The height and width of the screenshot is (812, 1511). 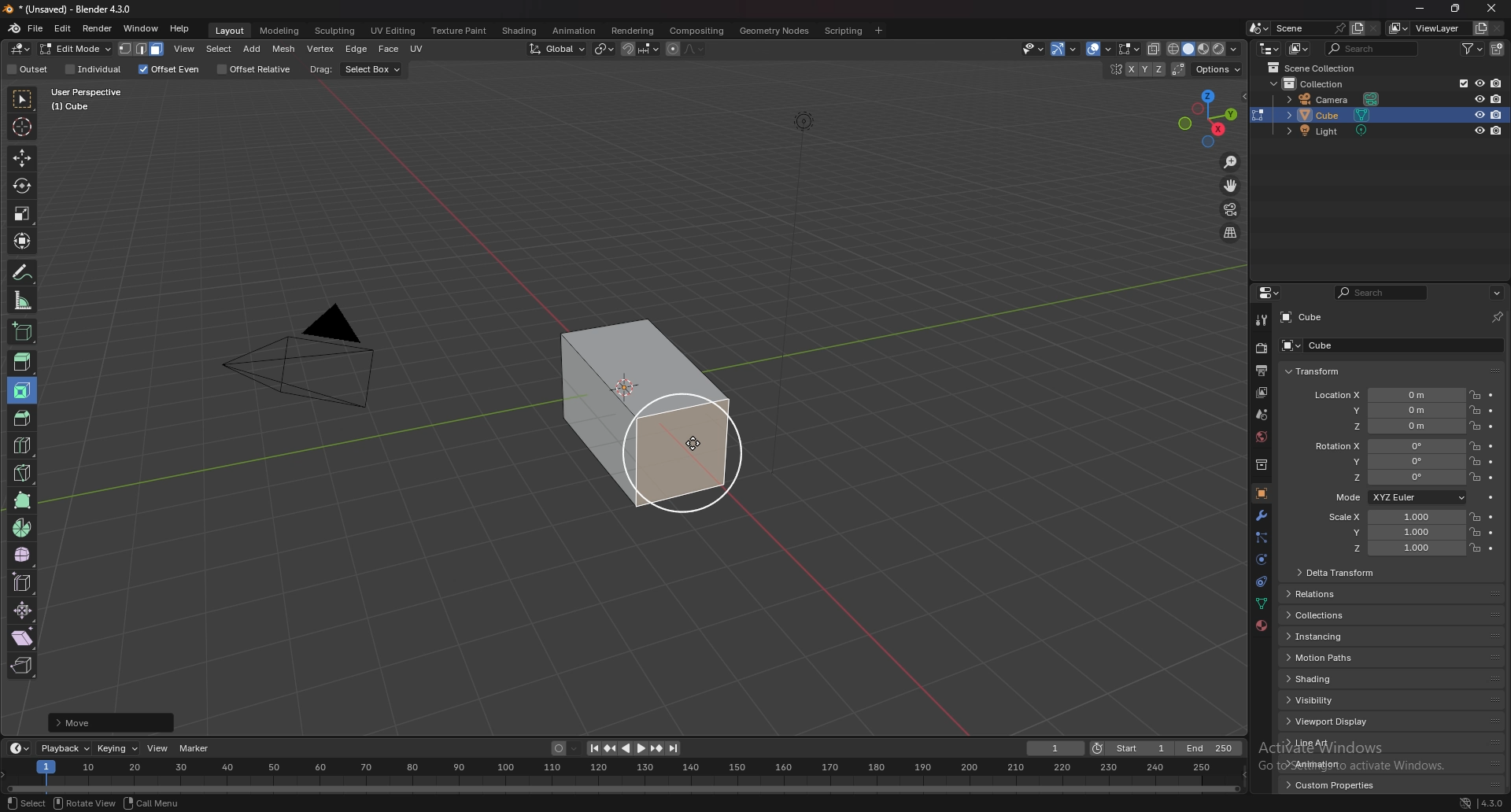 I want to click on instancing, so click(x=1333, y=637).